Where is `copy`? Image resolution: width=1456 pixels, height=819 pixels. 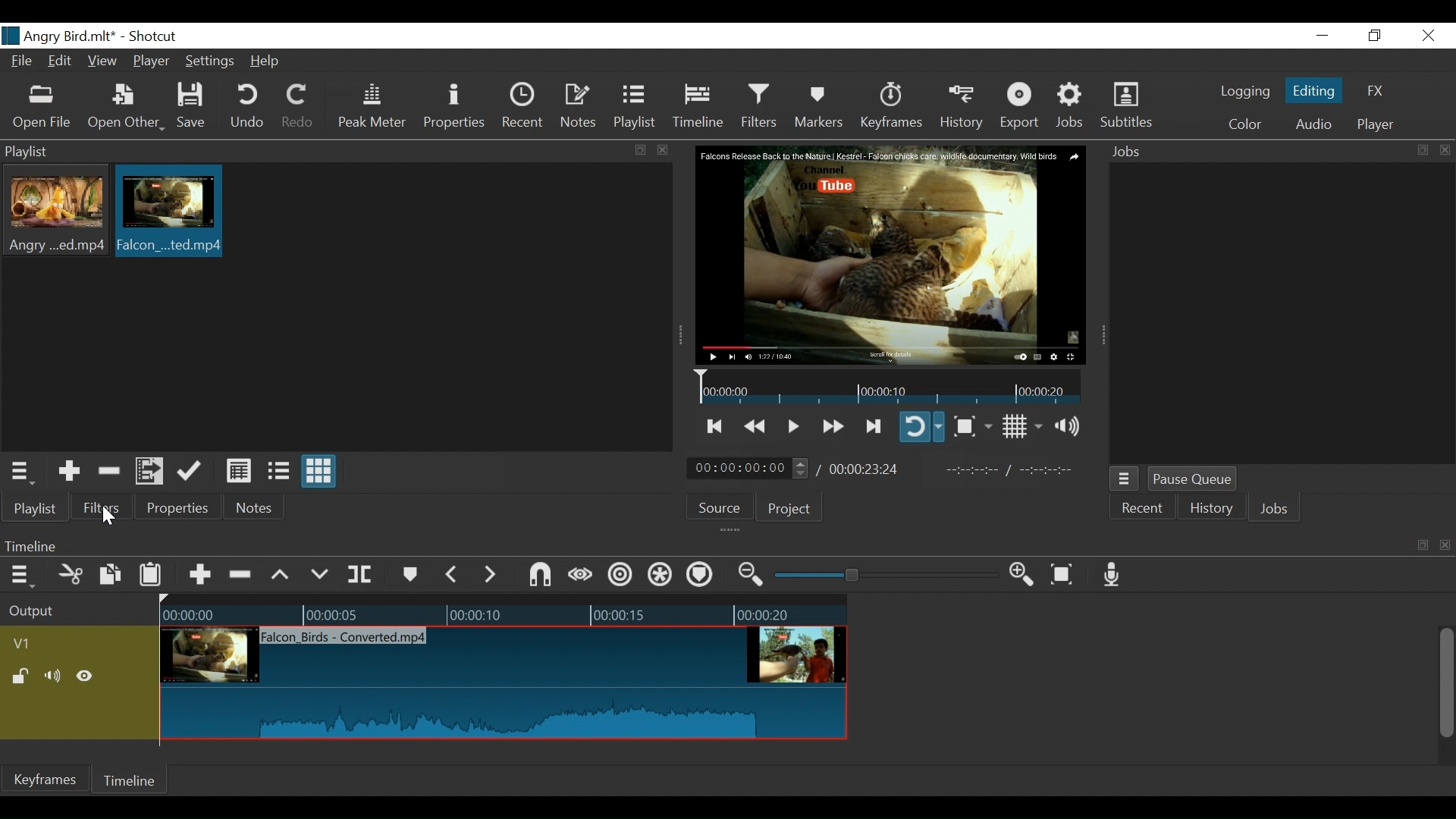 copy is located at coordinates (1423, 545).